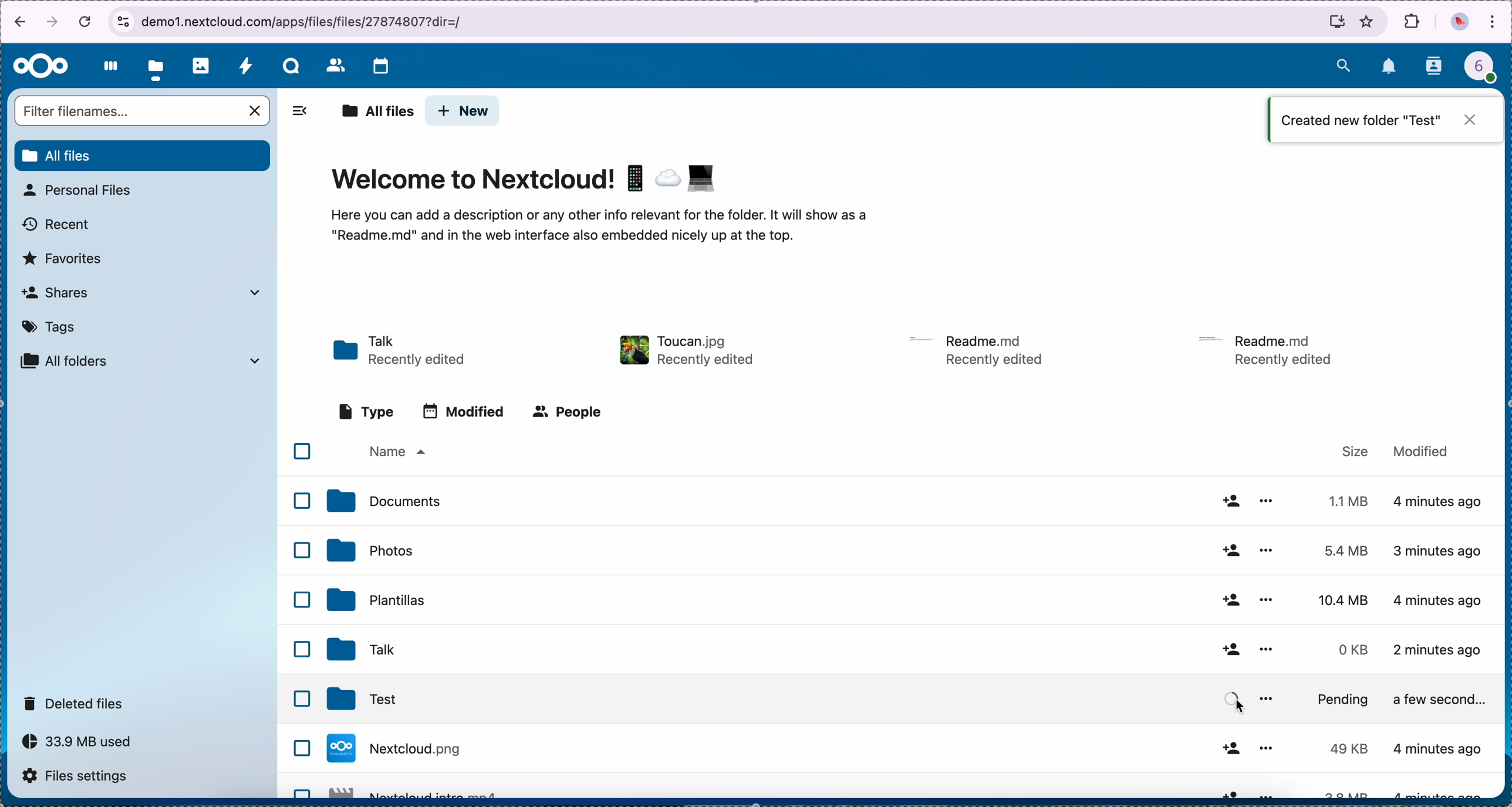  Describe the element at coordinates (463, 112) in the screenshot. I see `click on new button` at that location.